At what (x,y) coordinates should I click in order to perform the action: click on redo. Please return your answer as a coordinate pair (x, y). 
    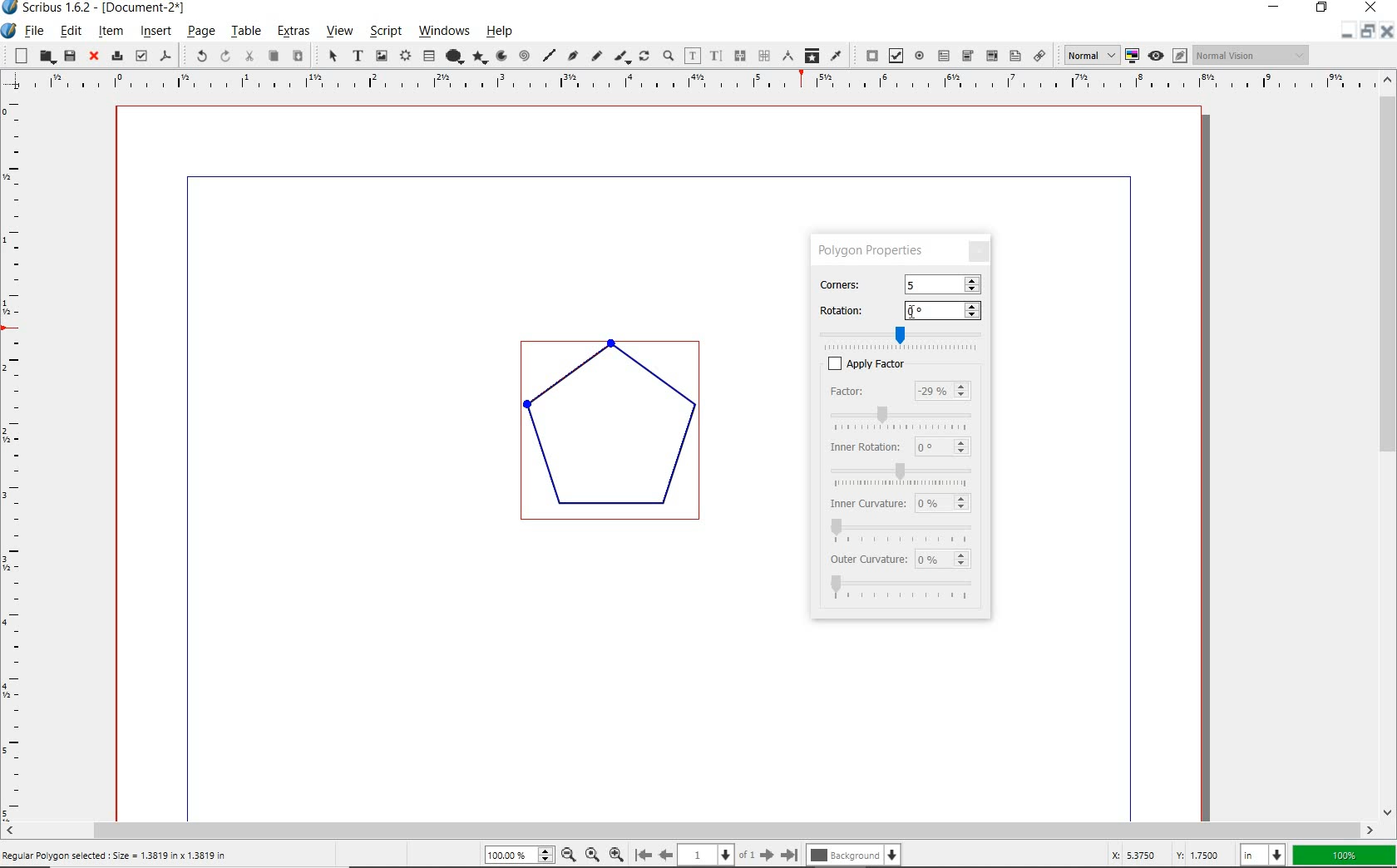
    Looking at the image, I should click on (225, 57).